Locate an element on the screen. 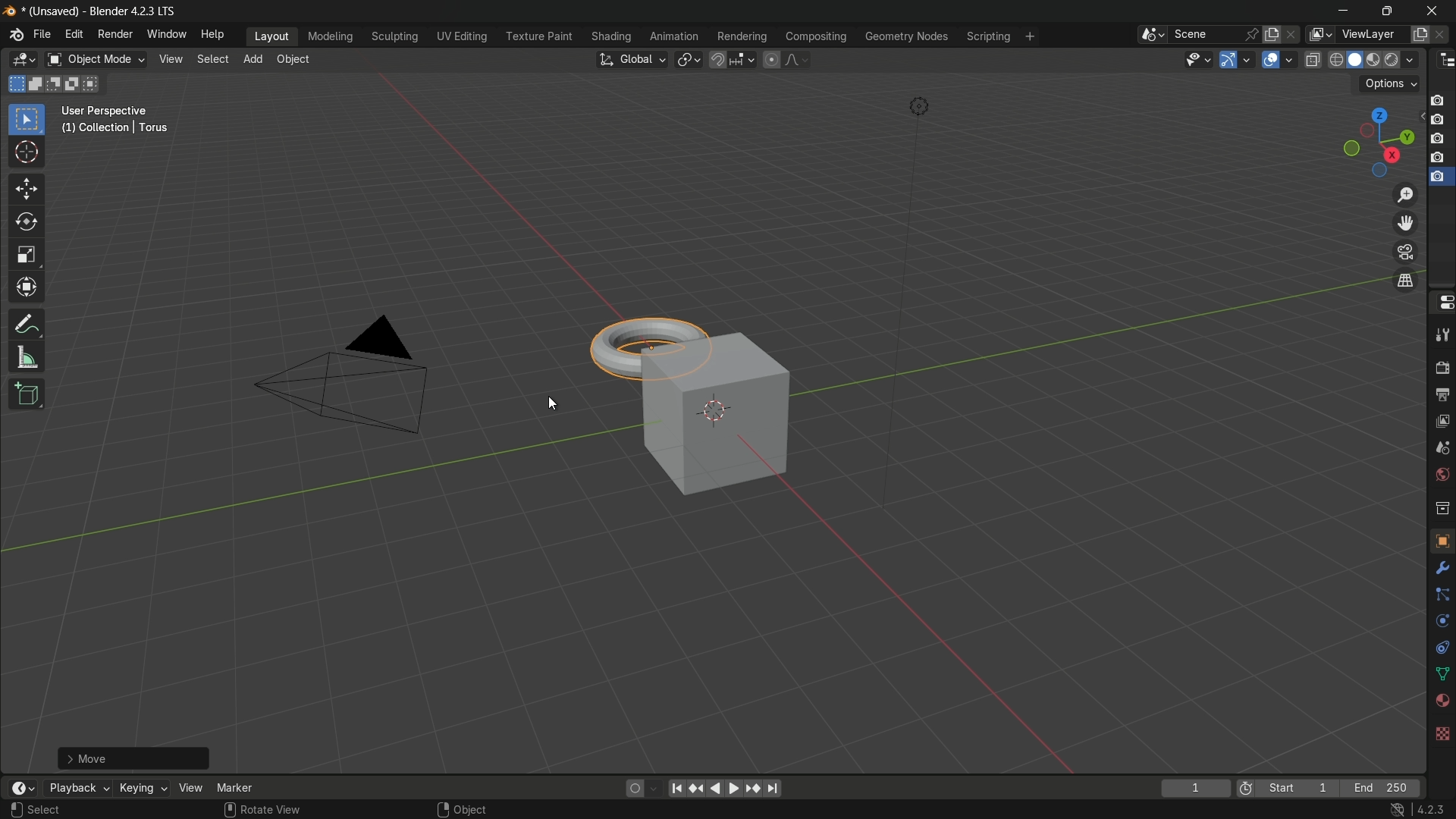 The height and width of the screenshot is (819, 1456). select is located at coordinates (47, 810).